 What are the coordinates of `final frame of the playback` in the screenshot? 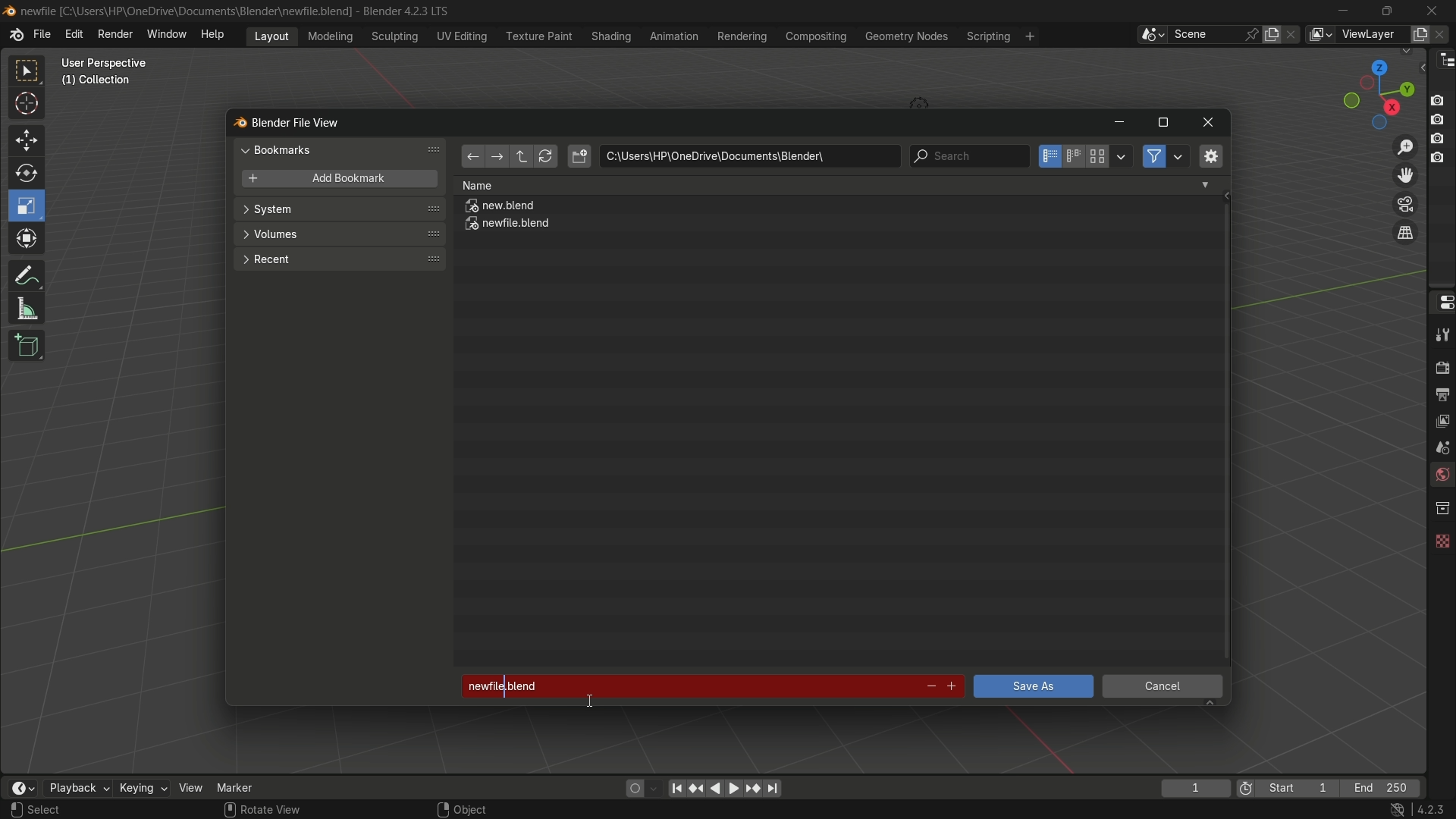 It's located at (1382, 789).